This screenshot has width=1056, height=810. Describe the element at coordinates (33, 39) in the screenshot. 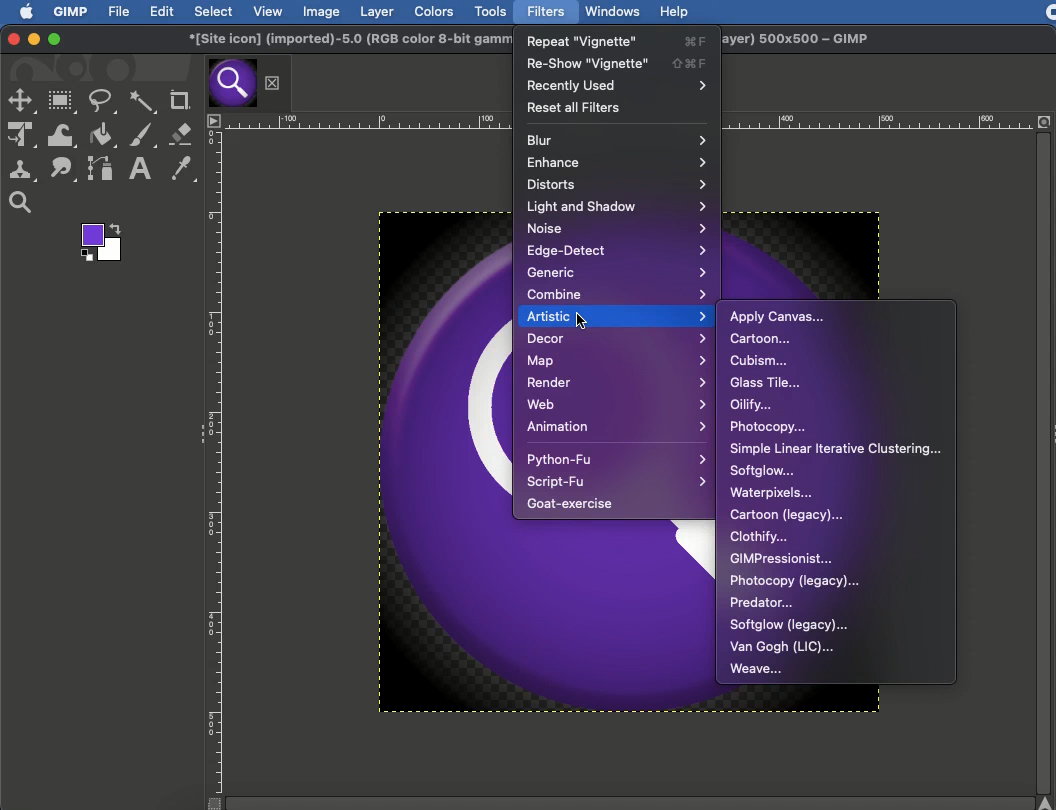

I see `Minimize` at that location.